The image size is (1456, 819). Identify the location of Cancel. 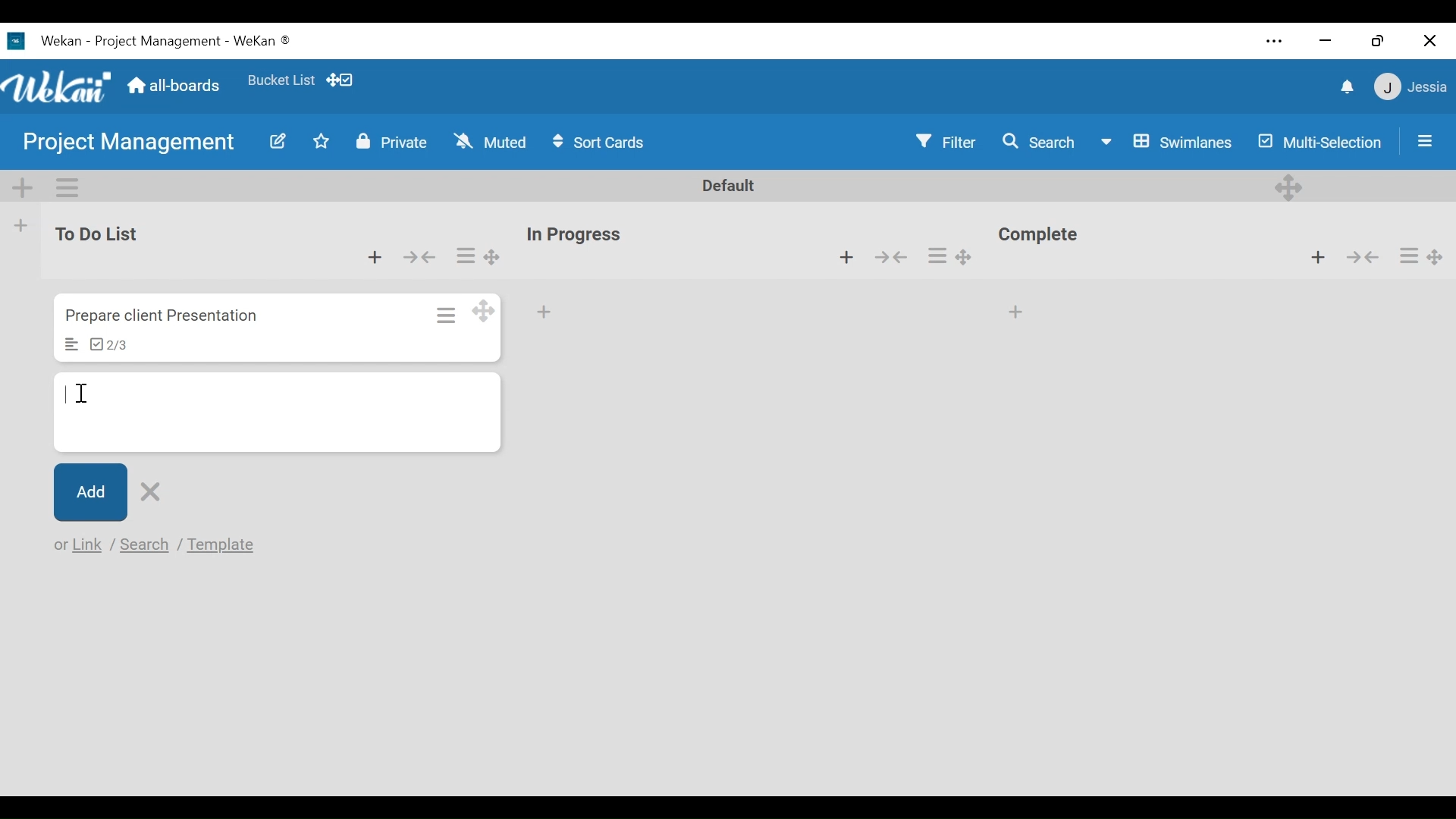
(153, 489).